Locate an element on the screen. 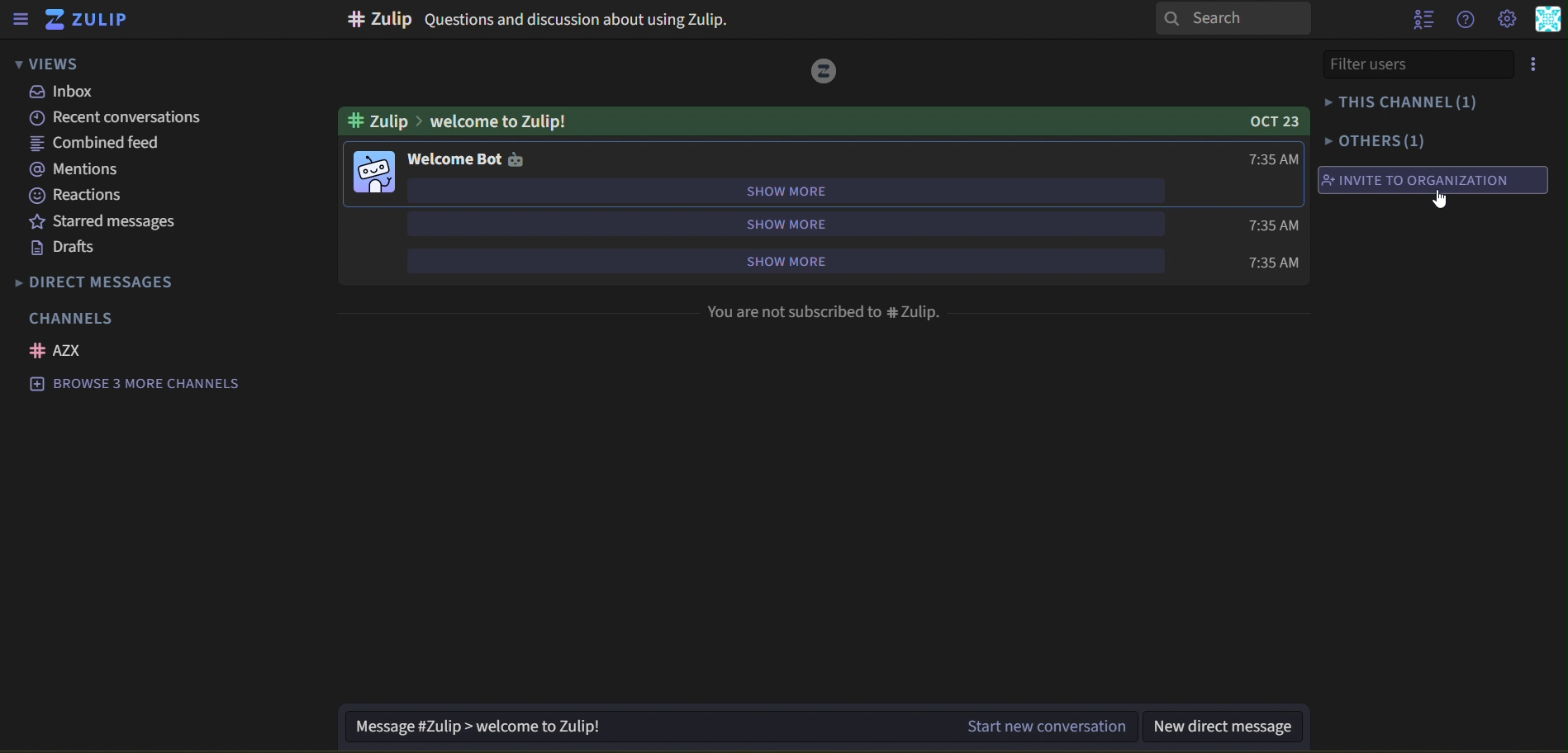  get help is located at coordinates (1464, 19).